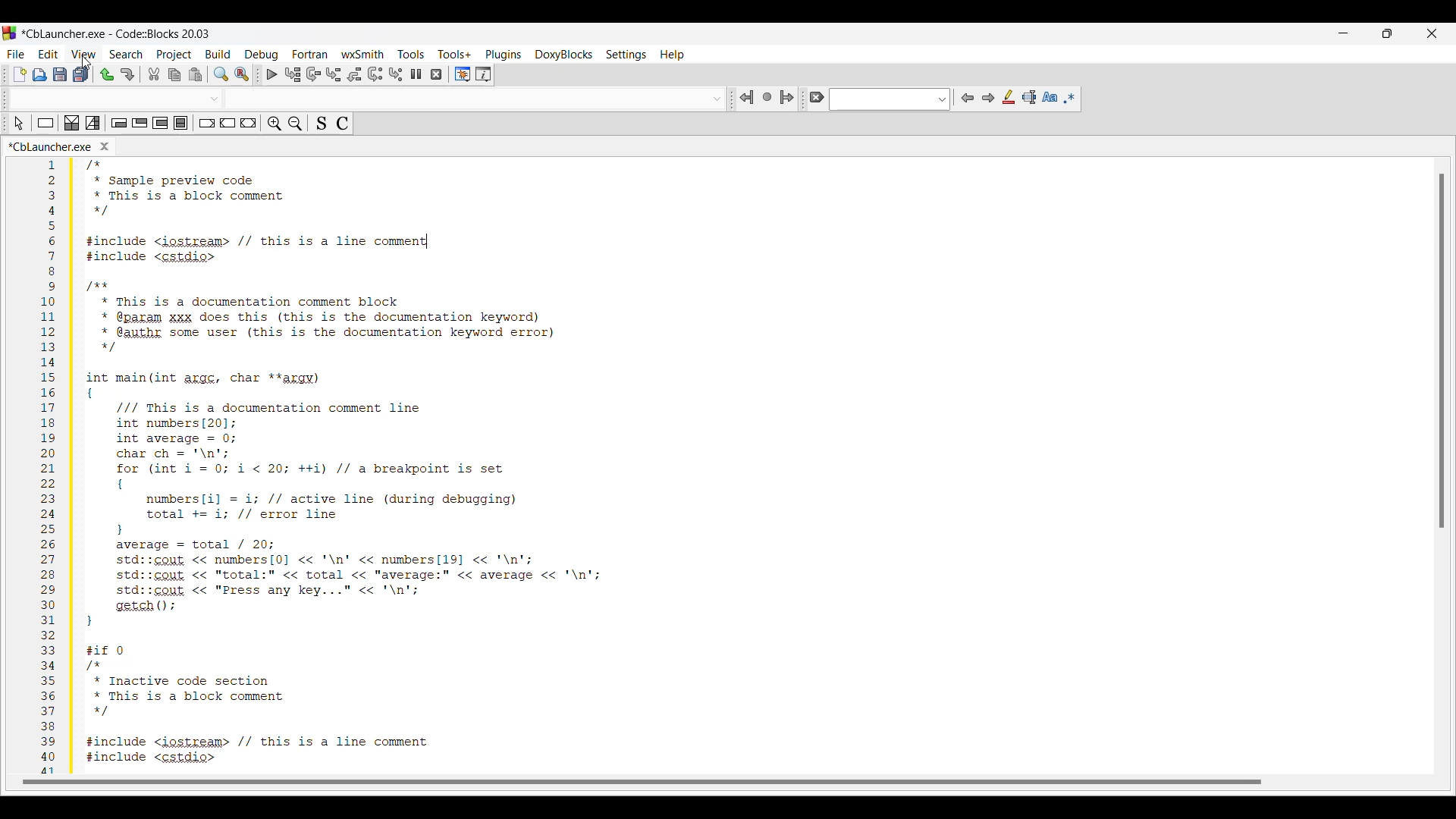  I want to click on Plugins menu, so click(504, 55).